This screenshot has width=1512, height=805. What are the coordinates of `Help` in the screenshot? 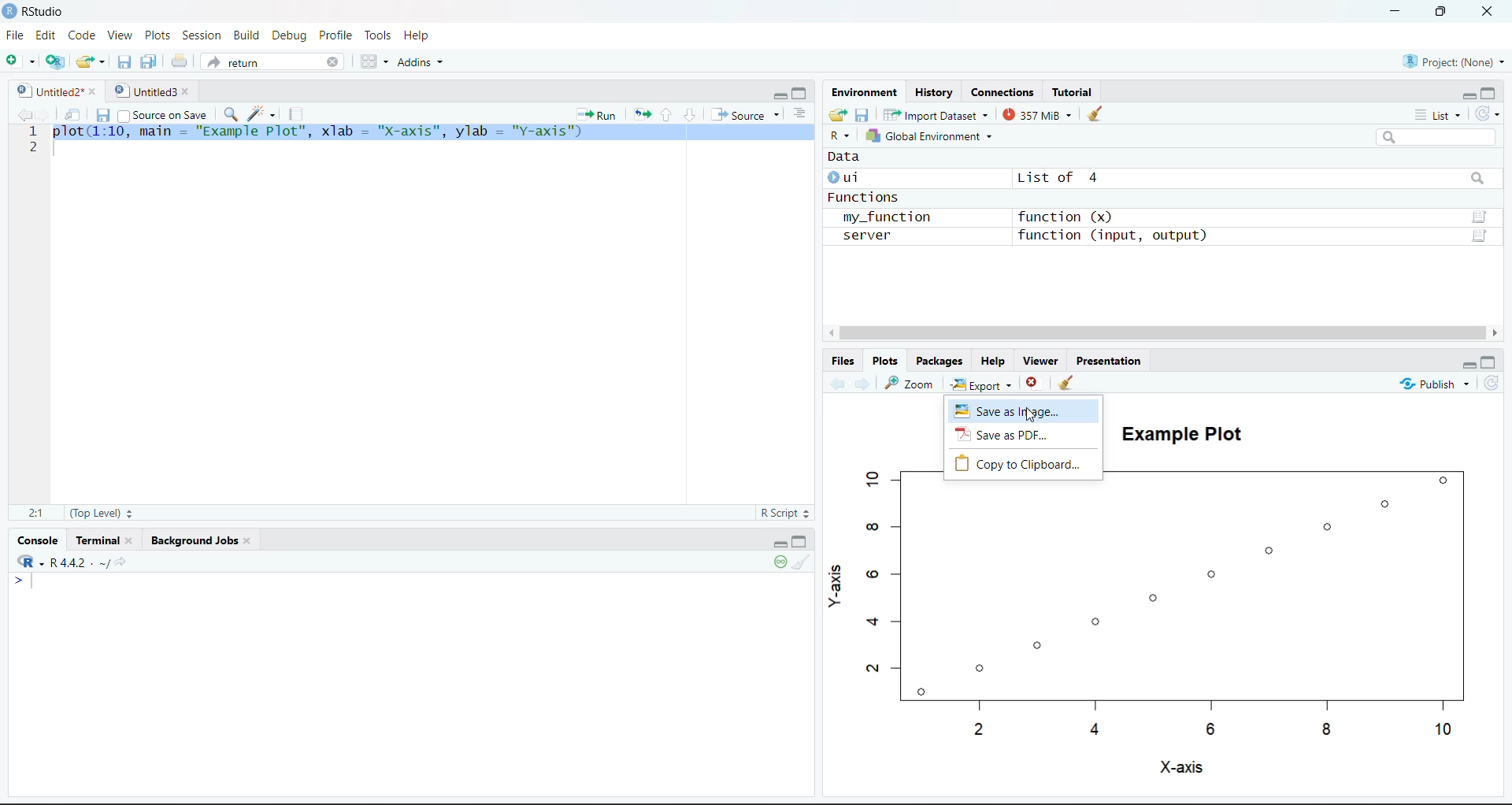 It's located at (418, 35).